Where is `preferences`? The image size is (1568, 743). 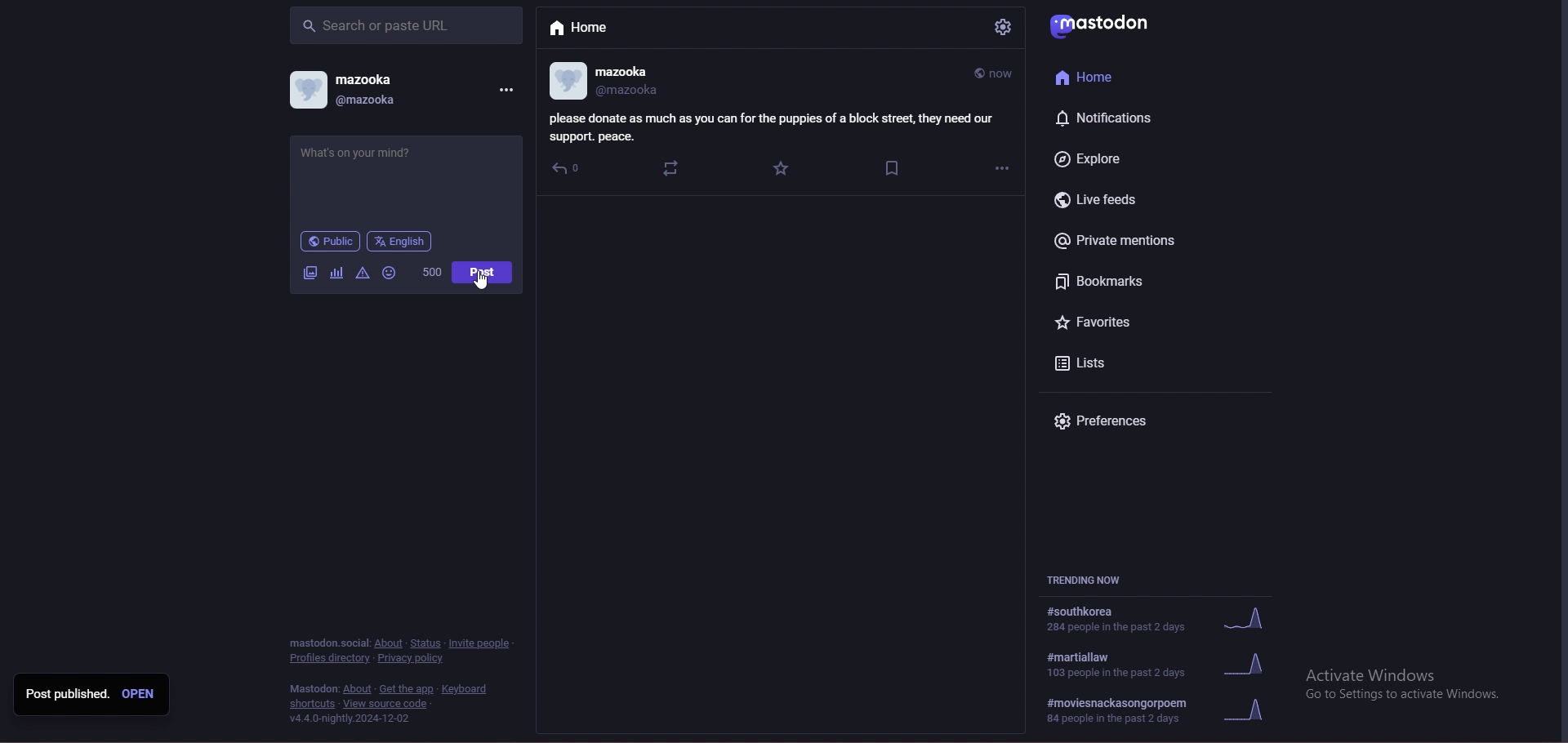 preferences is located at coordinates (1144, 418).